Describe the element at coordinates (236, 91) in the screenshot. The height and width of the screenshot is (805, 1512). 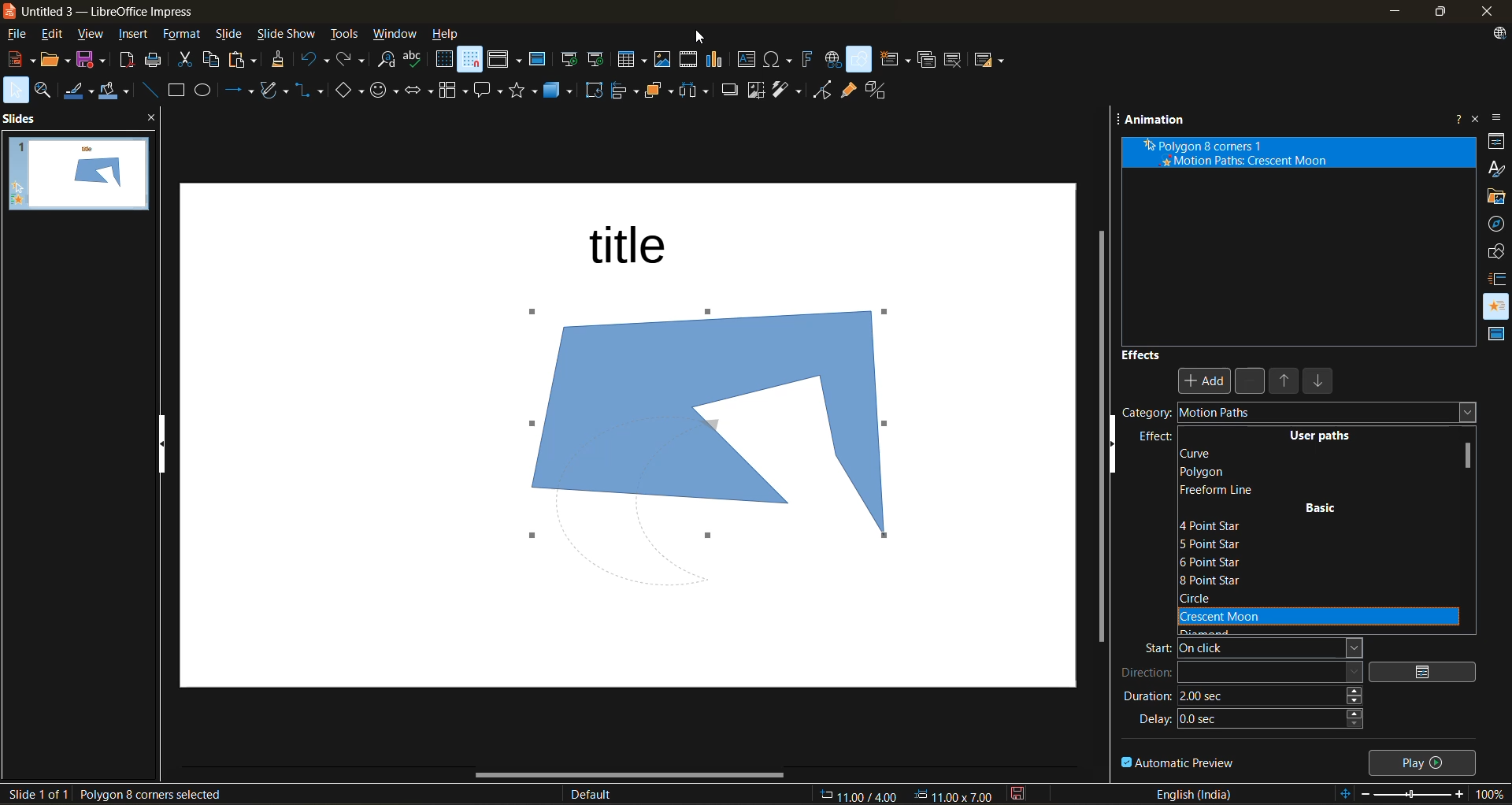
I see `lines and arrows` at that location.